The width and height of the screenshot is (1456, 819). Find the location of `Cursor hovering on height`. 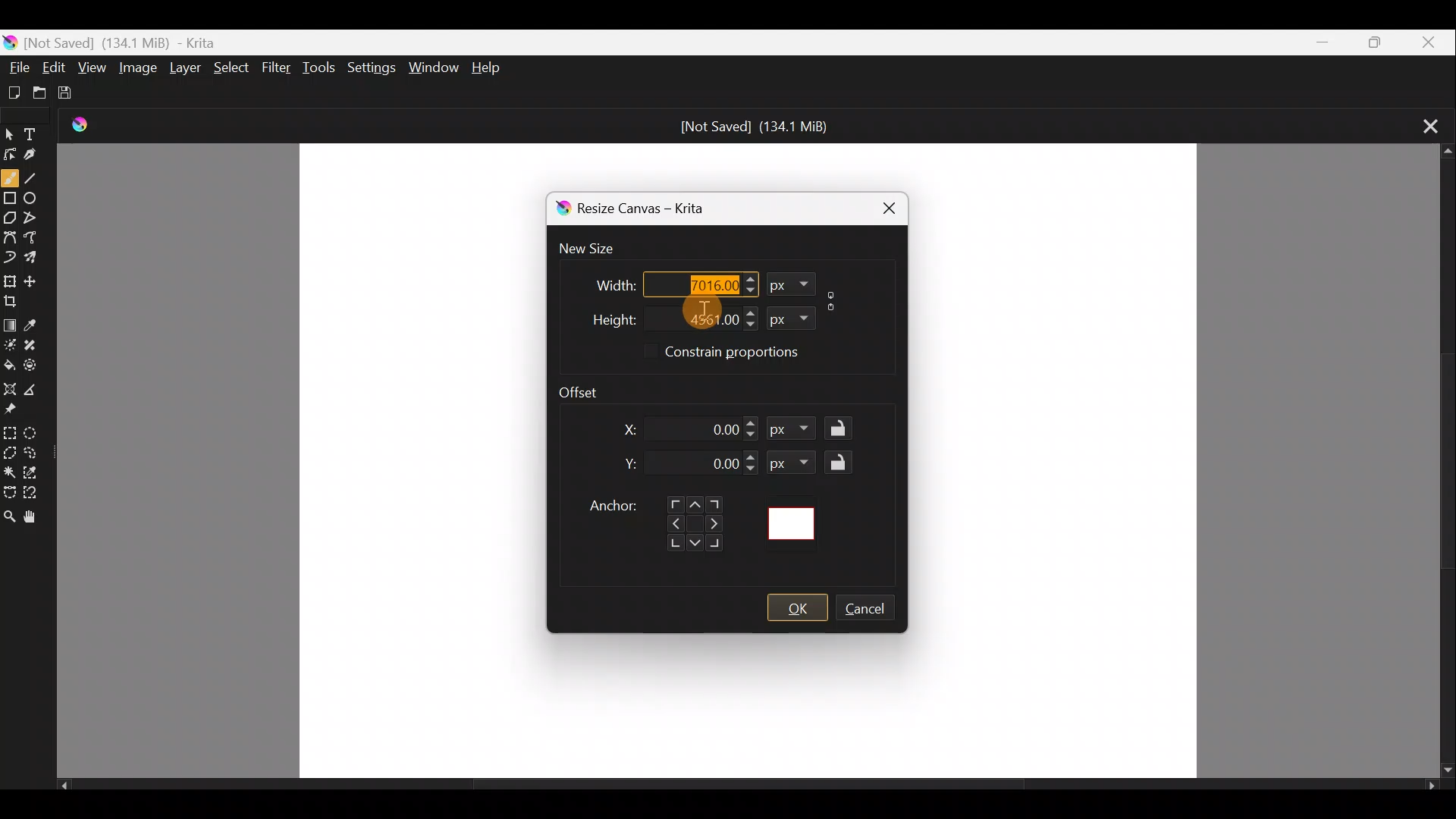

Cursor hovering on height is located at coordinates (699, 309).